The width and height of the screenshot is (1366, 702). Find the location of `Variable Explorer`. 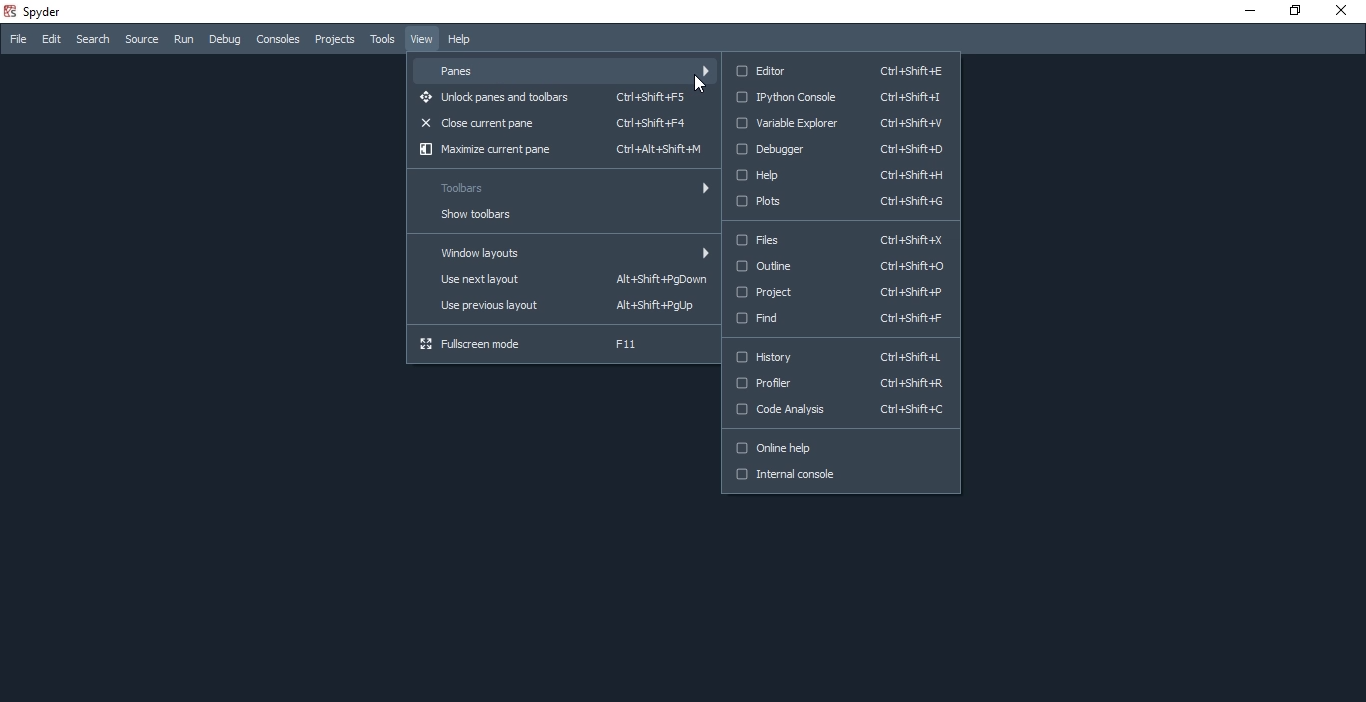

Variable Explorer is located at coordinates (840, 125).